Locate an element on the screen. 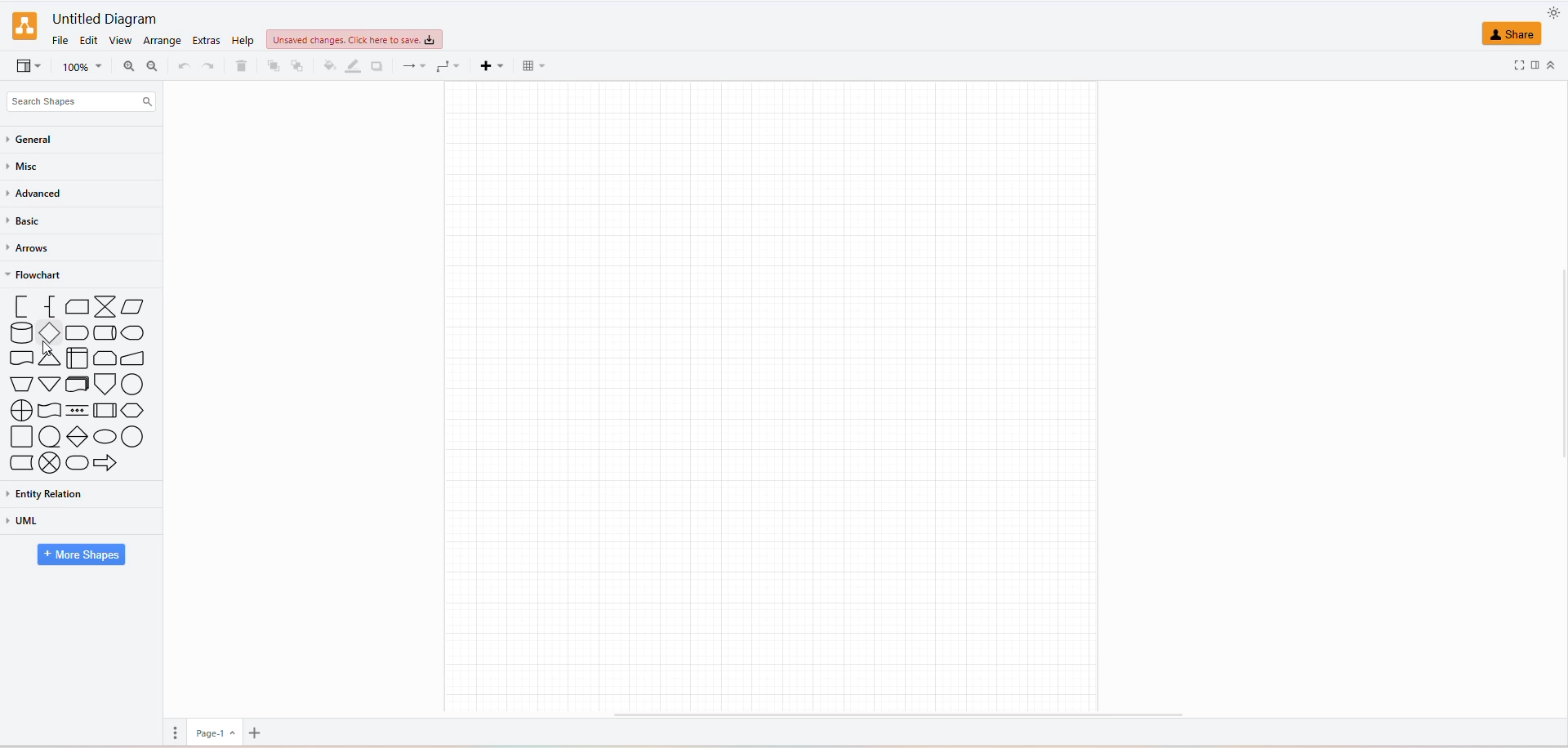 This screenshot has height=748, width=1568. DELETE is located at coordinates (241, 68).